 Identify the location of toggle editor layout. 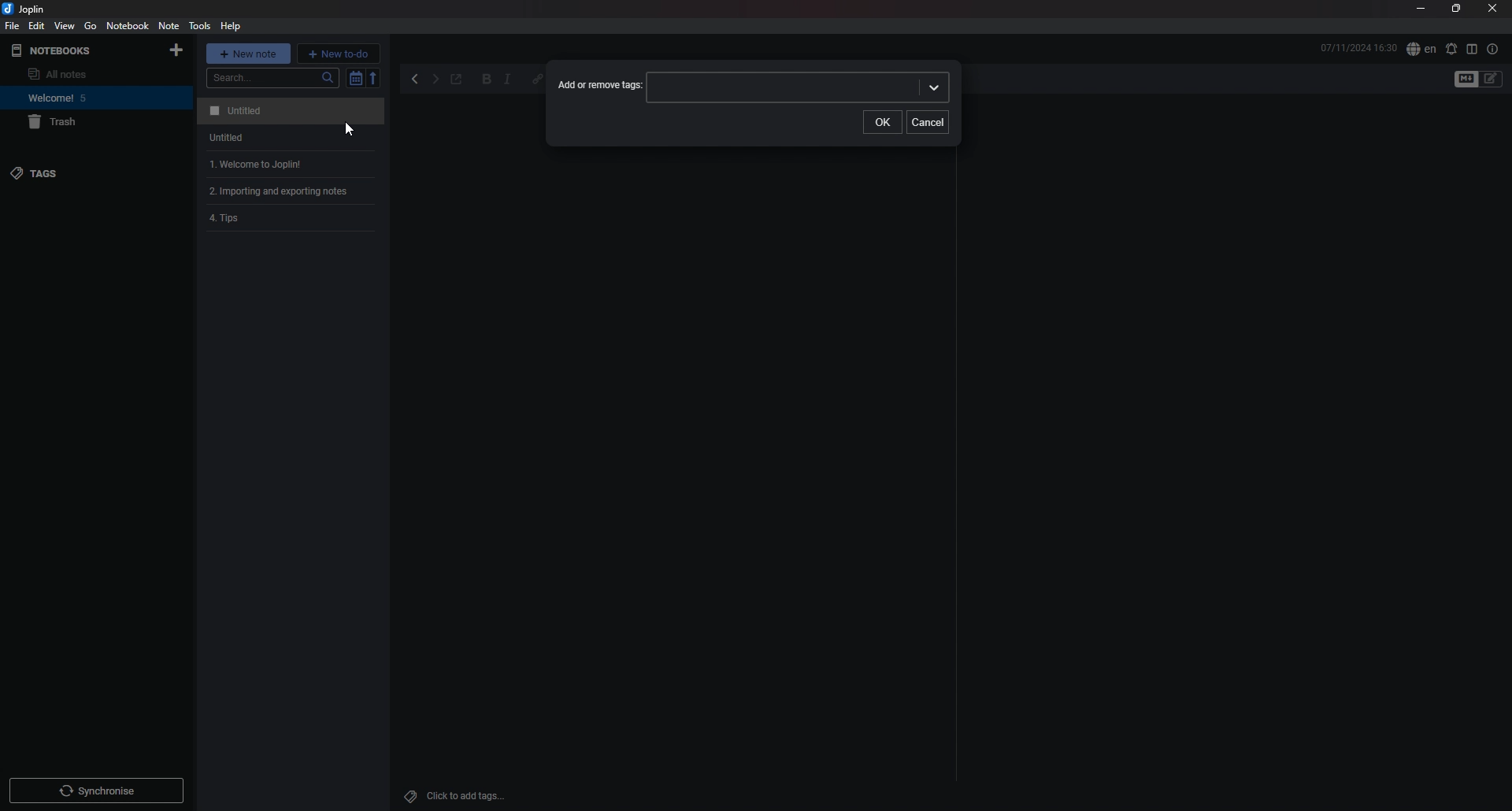
(1472, 49).